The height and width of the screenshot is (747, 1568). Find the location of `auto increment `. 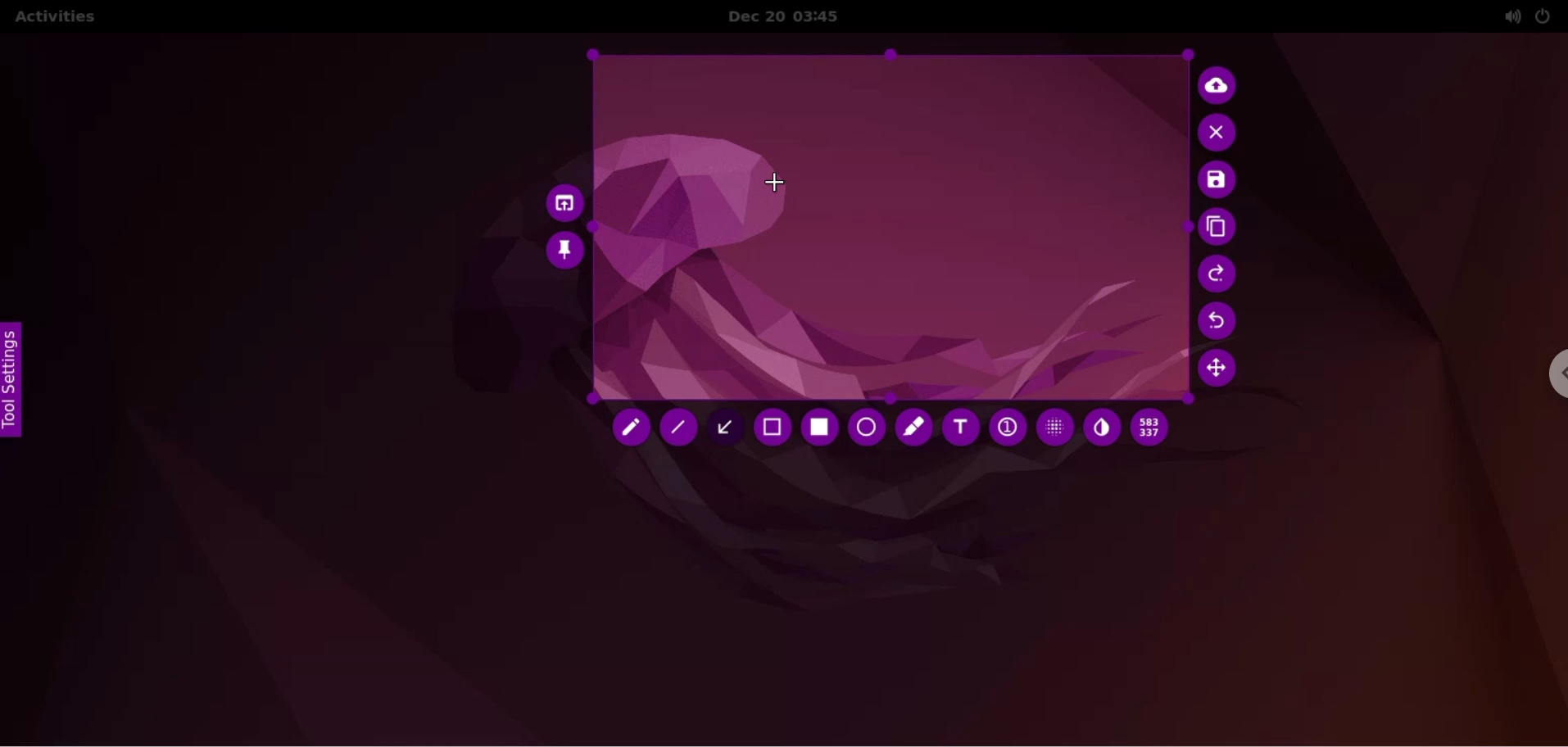

auto increment  is located at coordinates (1006, 429).